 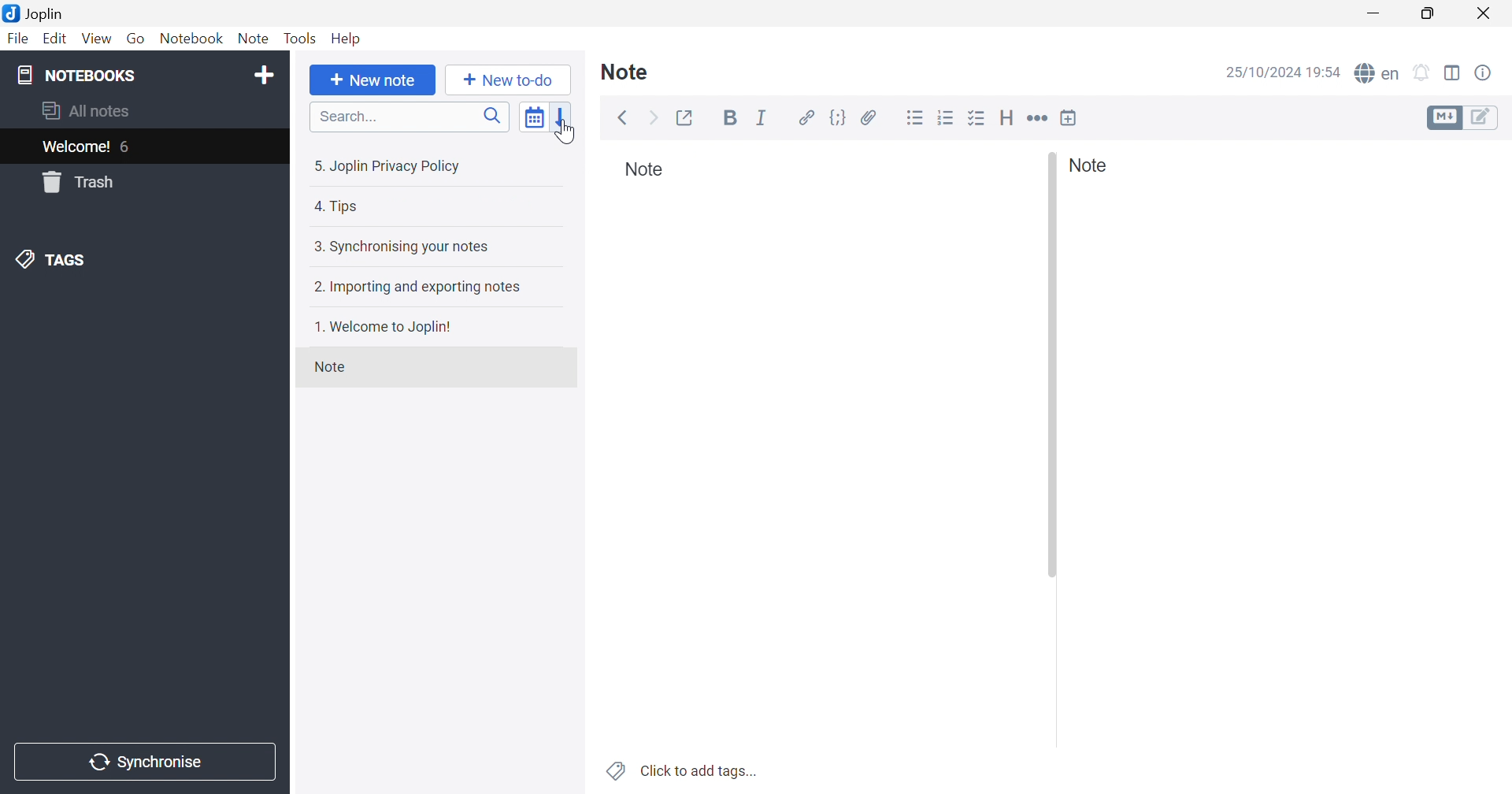 I want to click on Insert time, so click(x=1069, y=117).